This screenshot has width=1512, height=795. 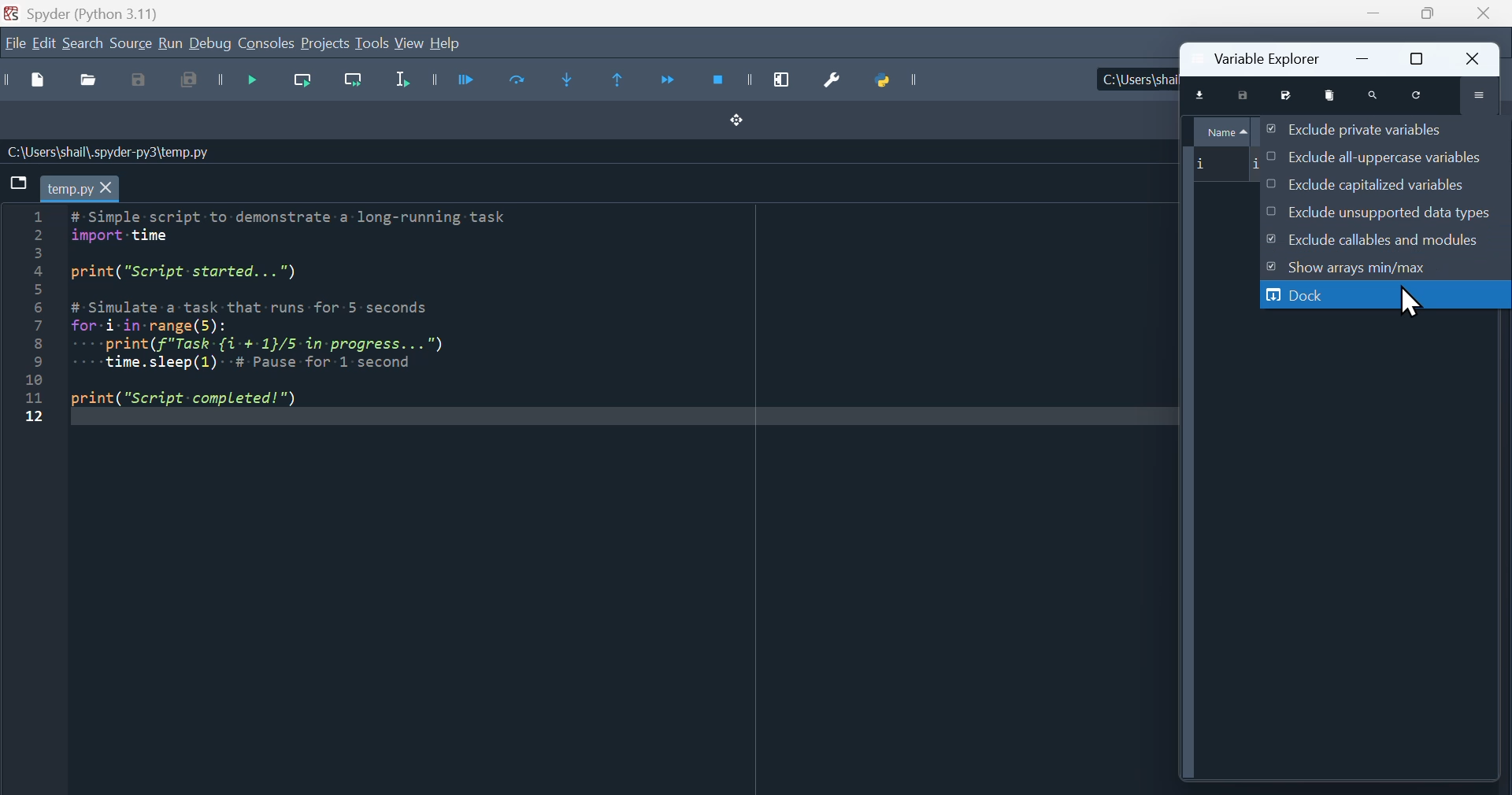 I want to click on Search, so click(x=83, y=45).